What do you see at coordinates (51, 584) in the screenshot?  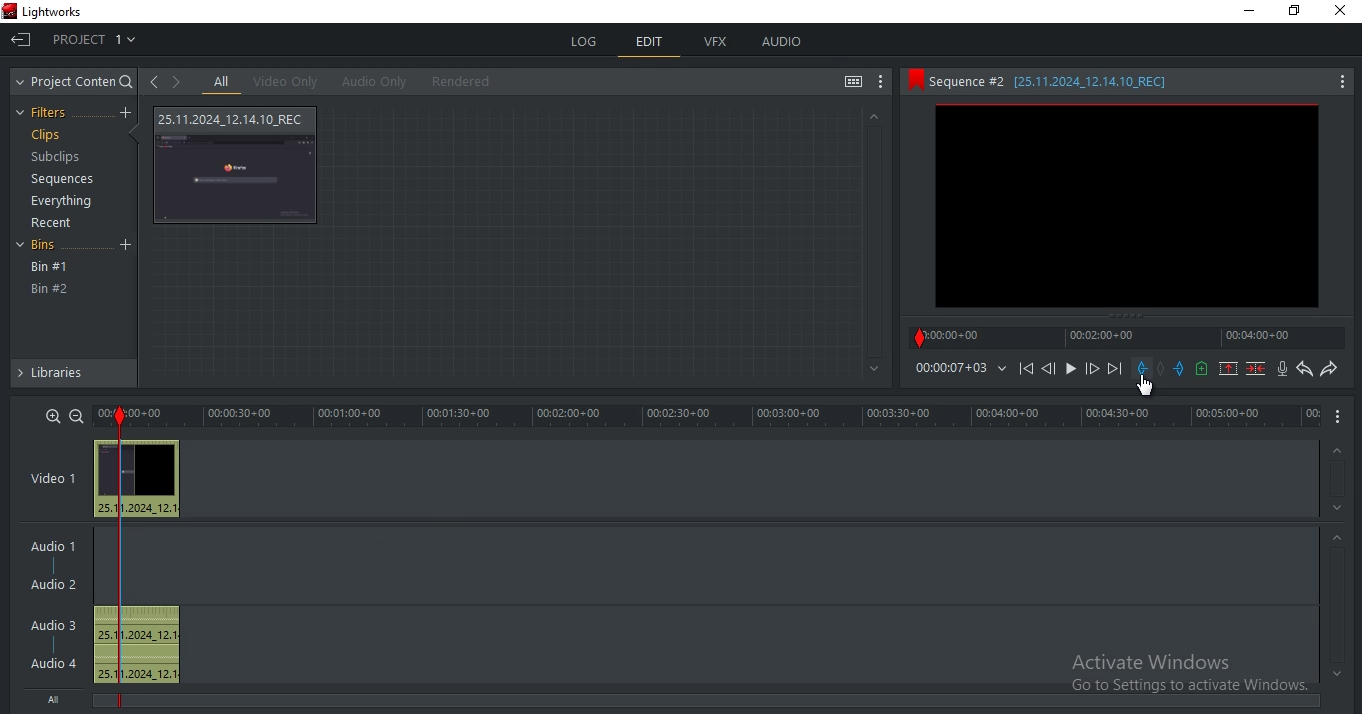 I see `Audio 2` at bounding box center [51, 584].